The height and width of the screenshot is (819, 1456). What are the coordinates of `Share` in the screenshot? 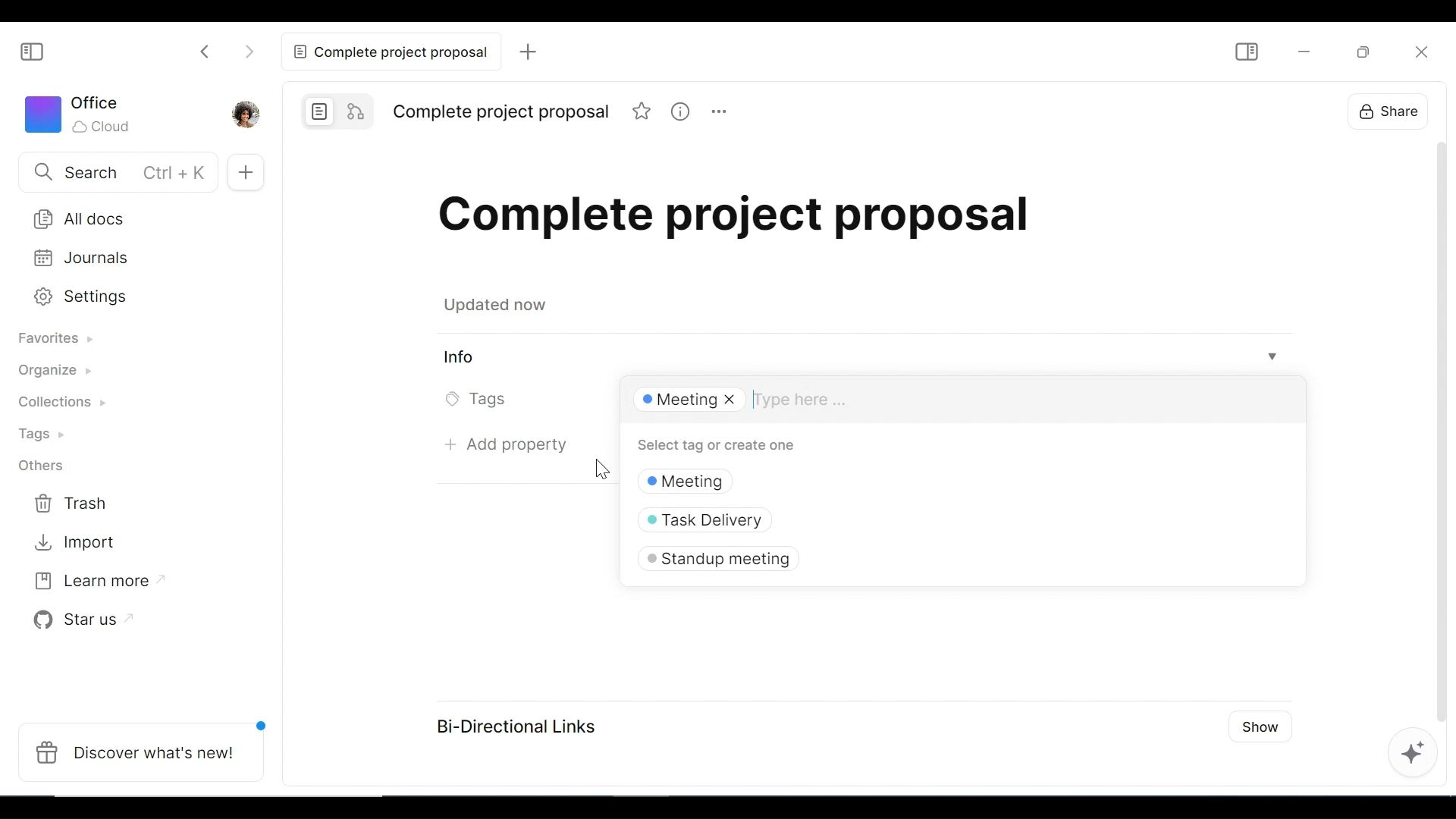 It's located at (1382, 110).